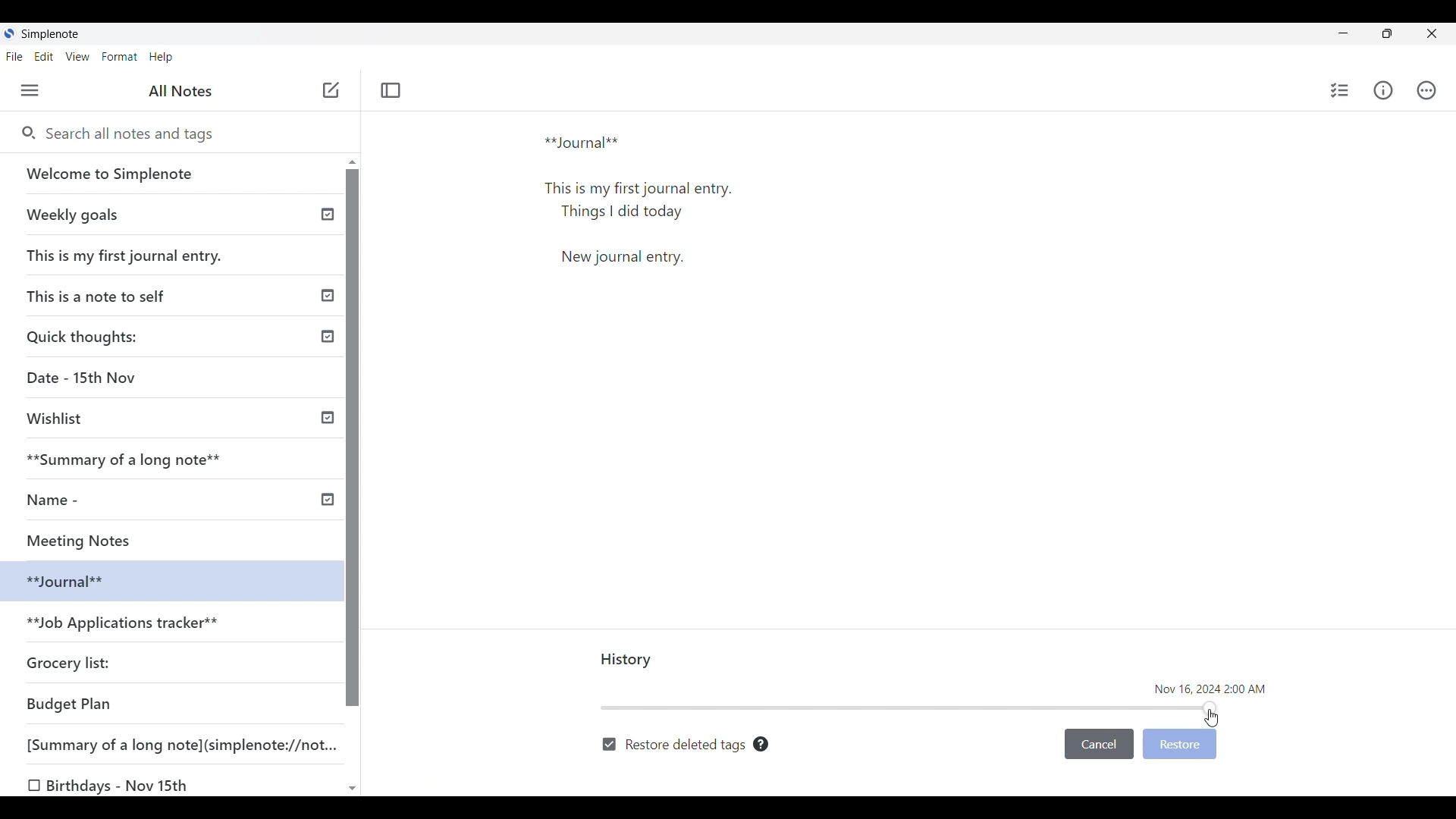 The image size is (1456, 819). I want to click on Existing text in current note, so click(644, 199).